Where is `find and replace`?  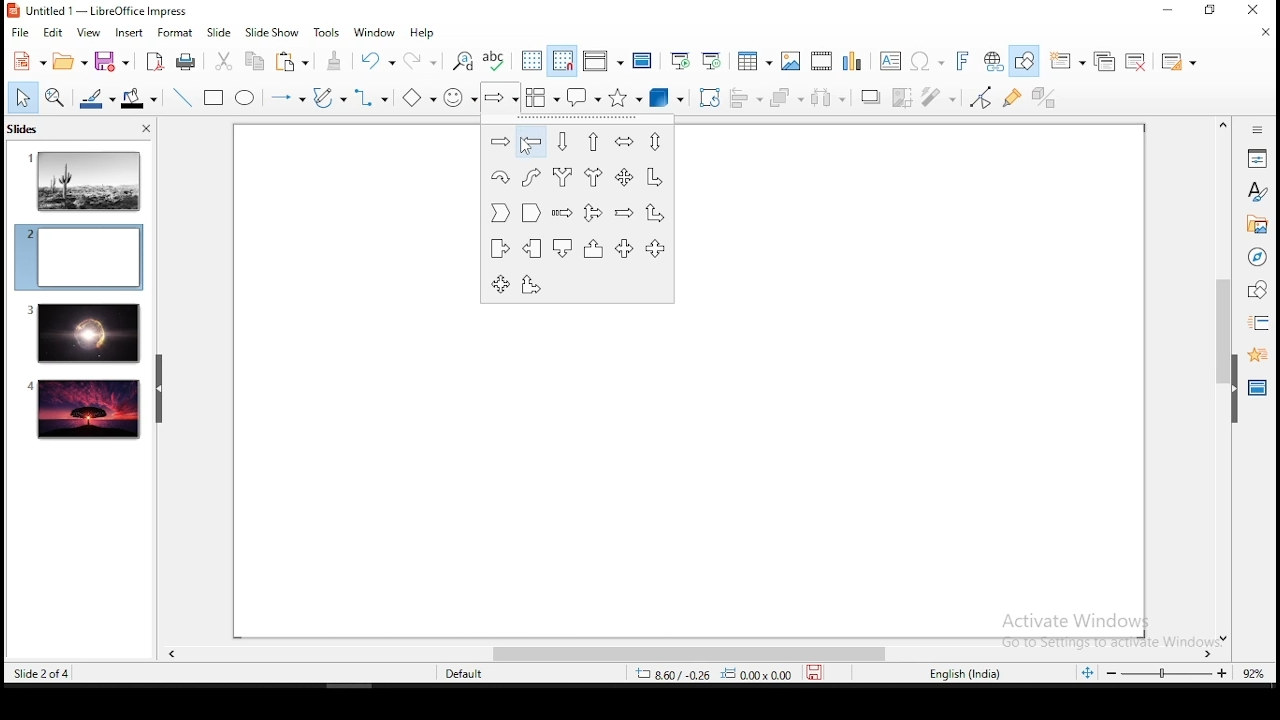
find and replace is located at coordinates (463, 59).